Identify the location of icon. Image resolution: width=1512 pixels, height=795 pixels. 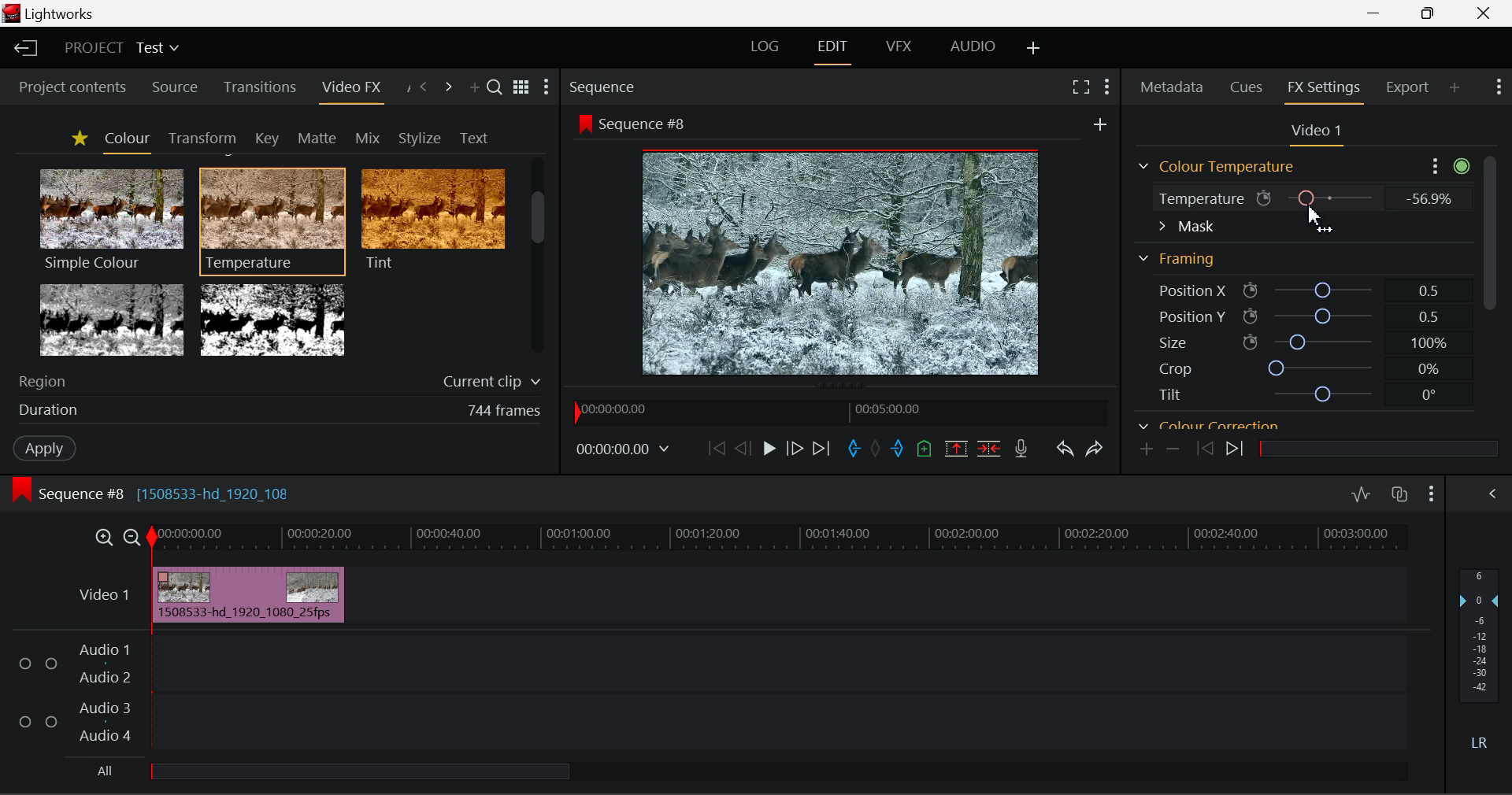
(1265, 198).